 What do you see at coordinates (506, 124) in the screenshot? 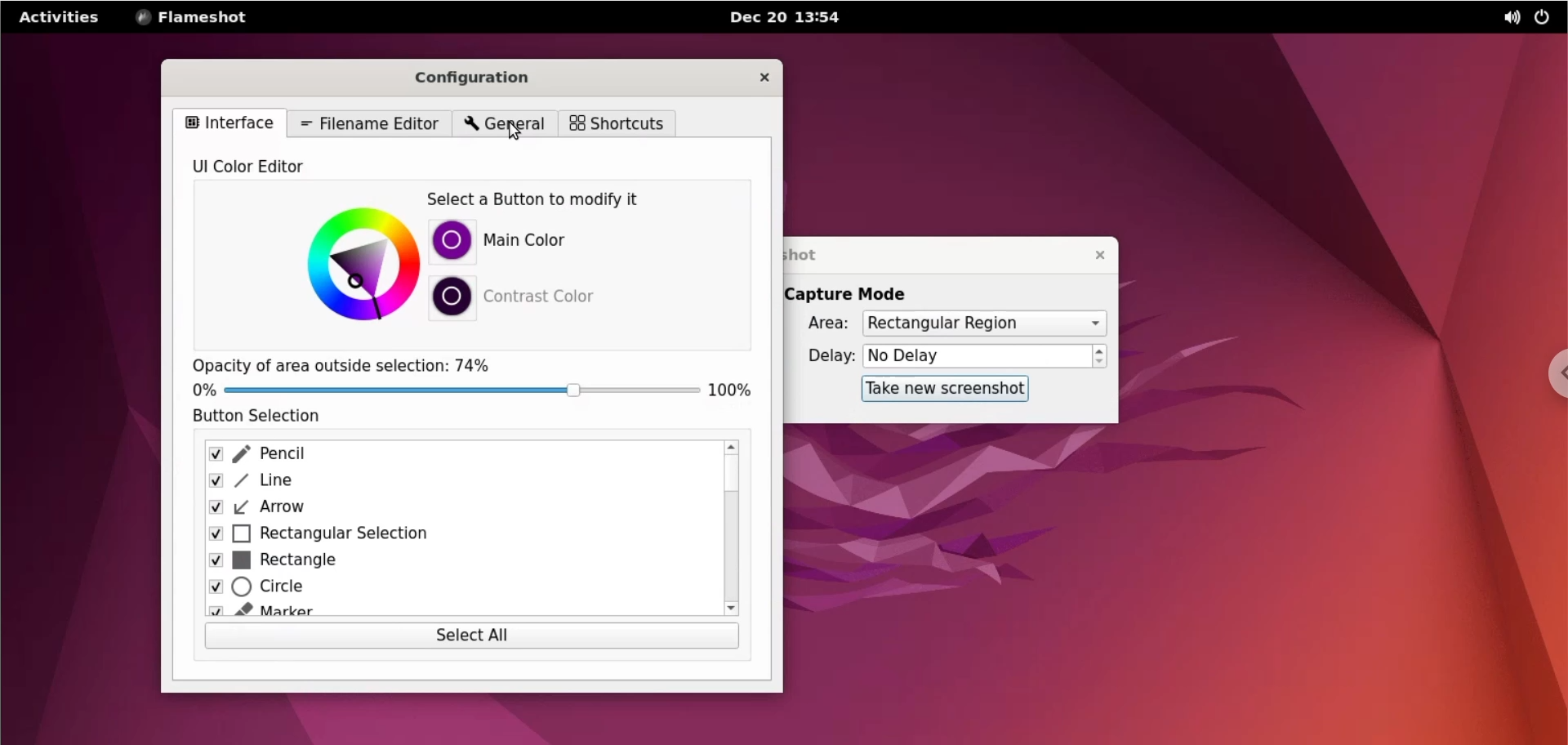
I see `general` at bounding box center [506, 124].